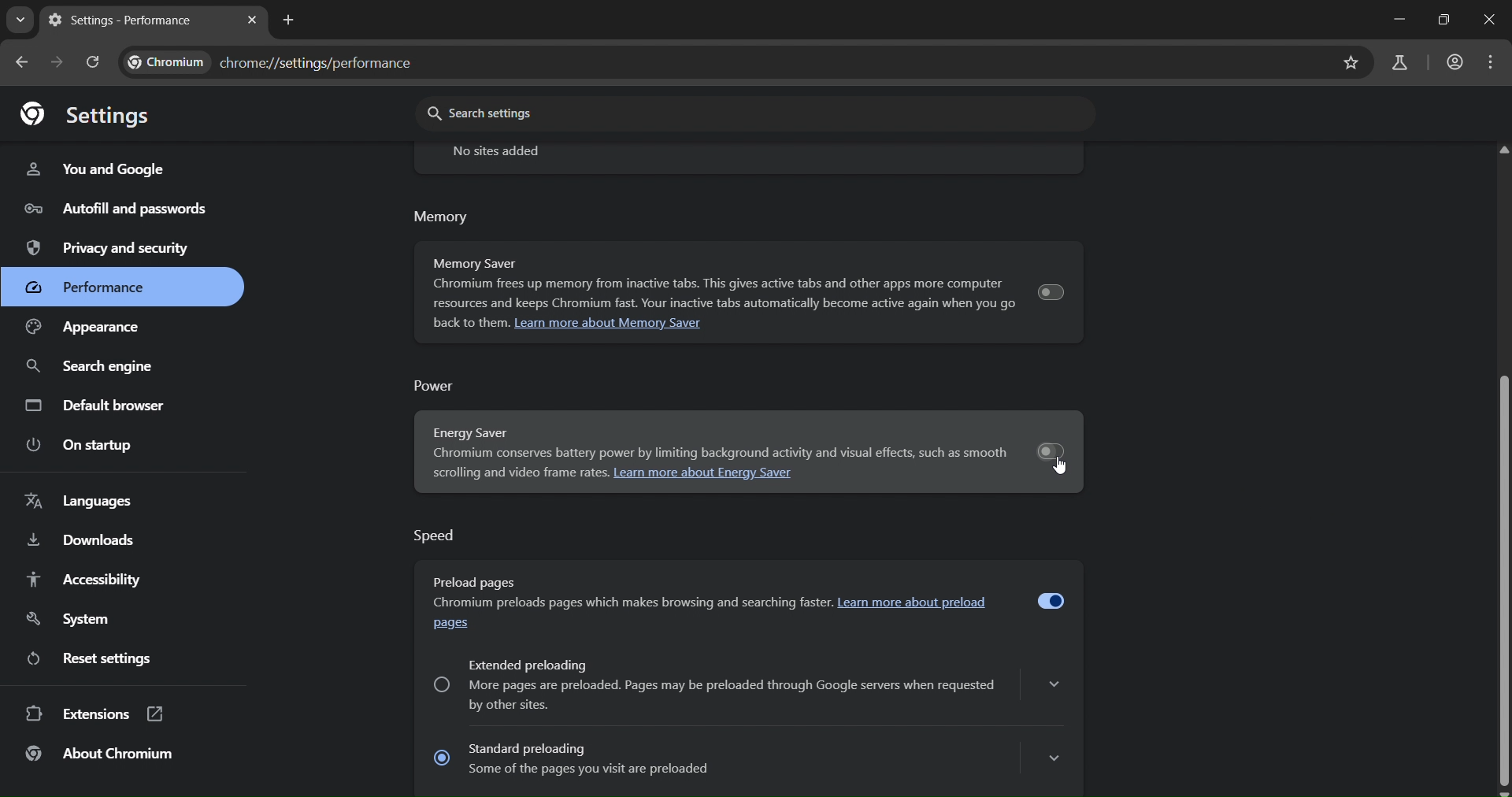 Image resolution: width=1512 pixels, height=797 pixels. Describe the element at coordinates (288, 21) in the screenshot. I see `new tab` at that location.